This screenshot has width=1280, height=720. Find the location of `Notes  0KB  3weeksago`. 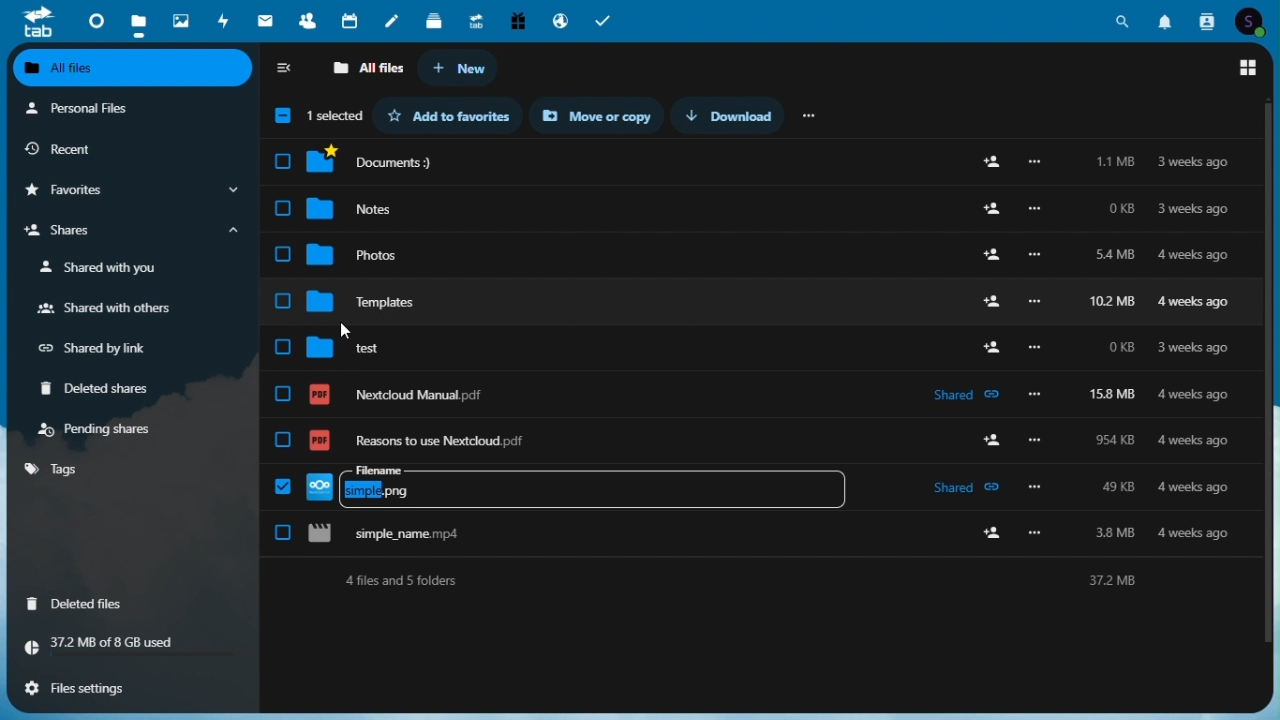

Notes  0KB  3weeksago is located at coordinates (761, 204).